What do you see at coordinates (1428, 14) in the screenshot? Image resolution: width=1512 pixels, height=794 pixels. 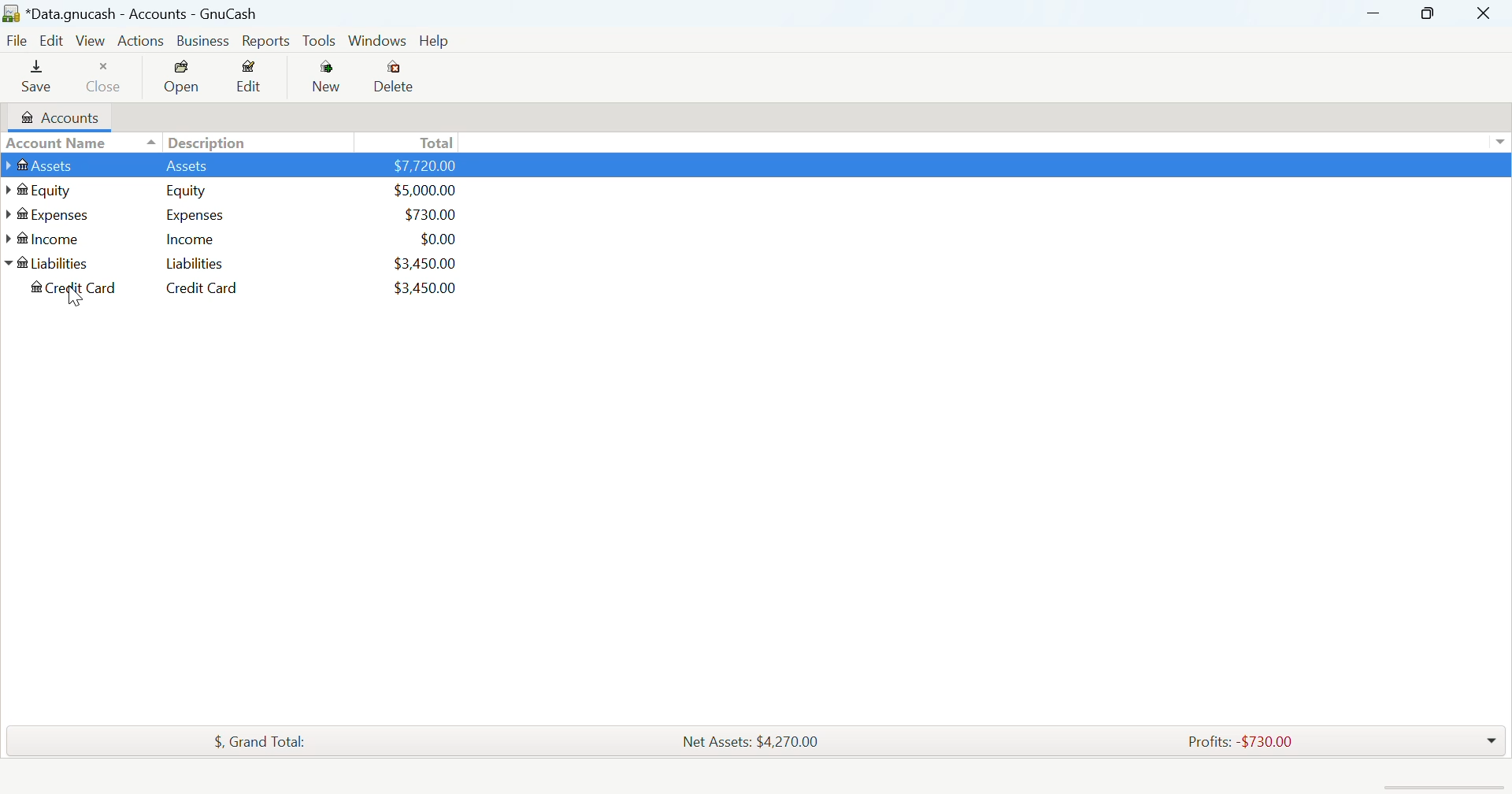 I see `Minimize` at bounding box center [1428, 14].